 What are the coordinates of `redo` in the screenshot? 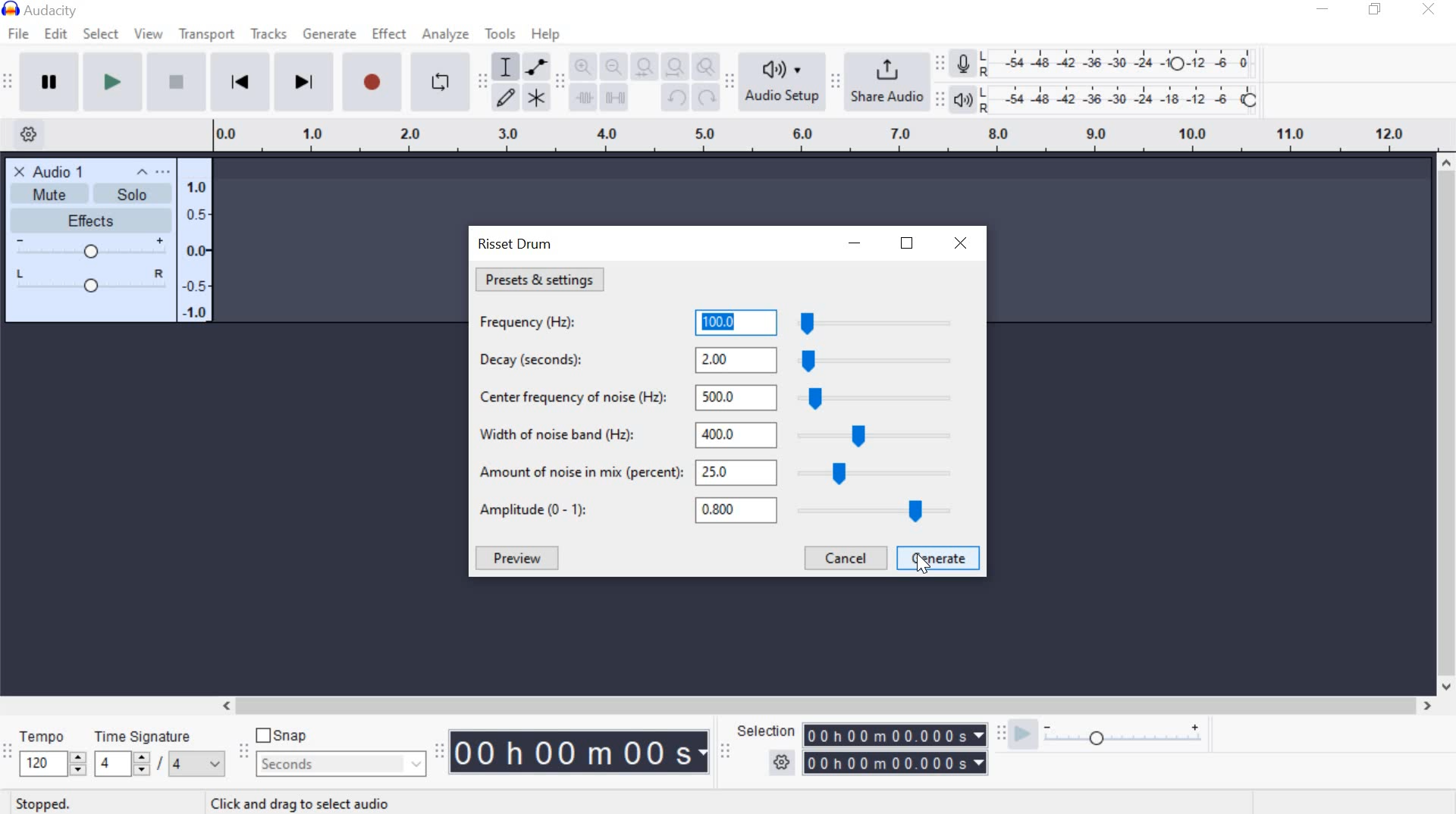 It's located at (705, 96).